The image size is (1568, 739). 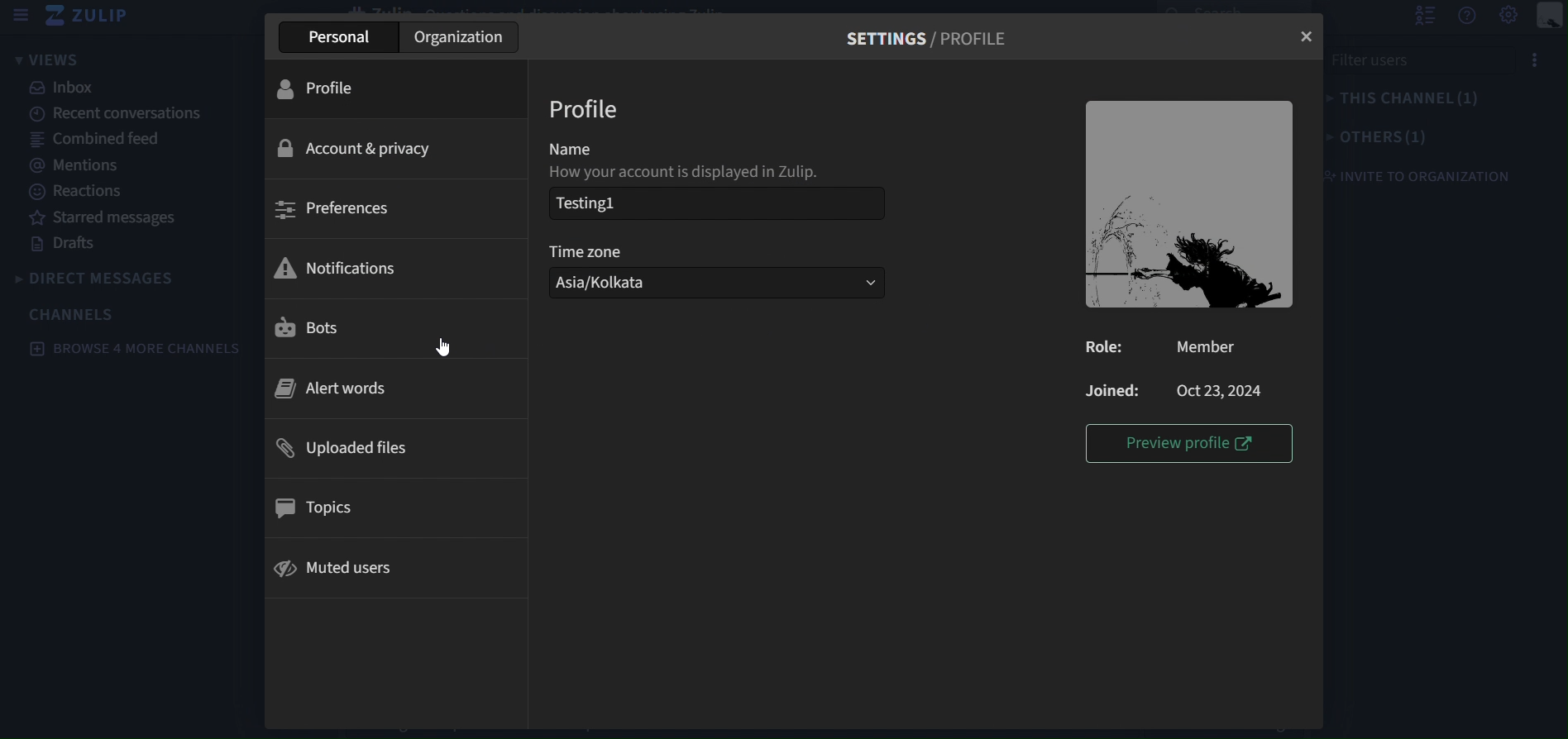 I want to click on How you account is displayed in zulip, so click(x=680, y=174).